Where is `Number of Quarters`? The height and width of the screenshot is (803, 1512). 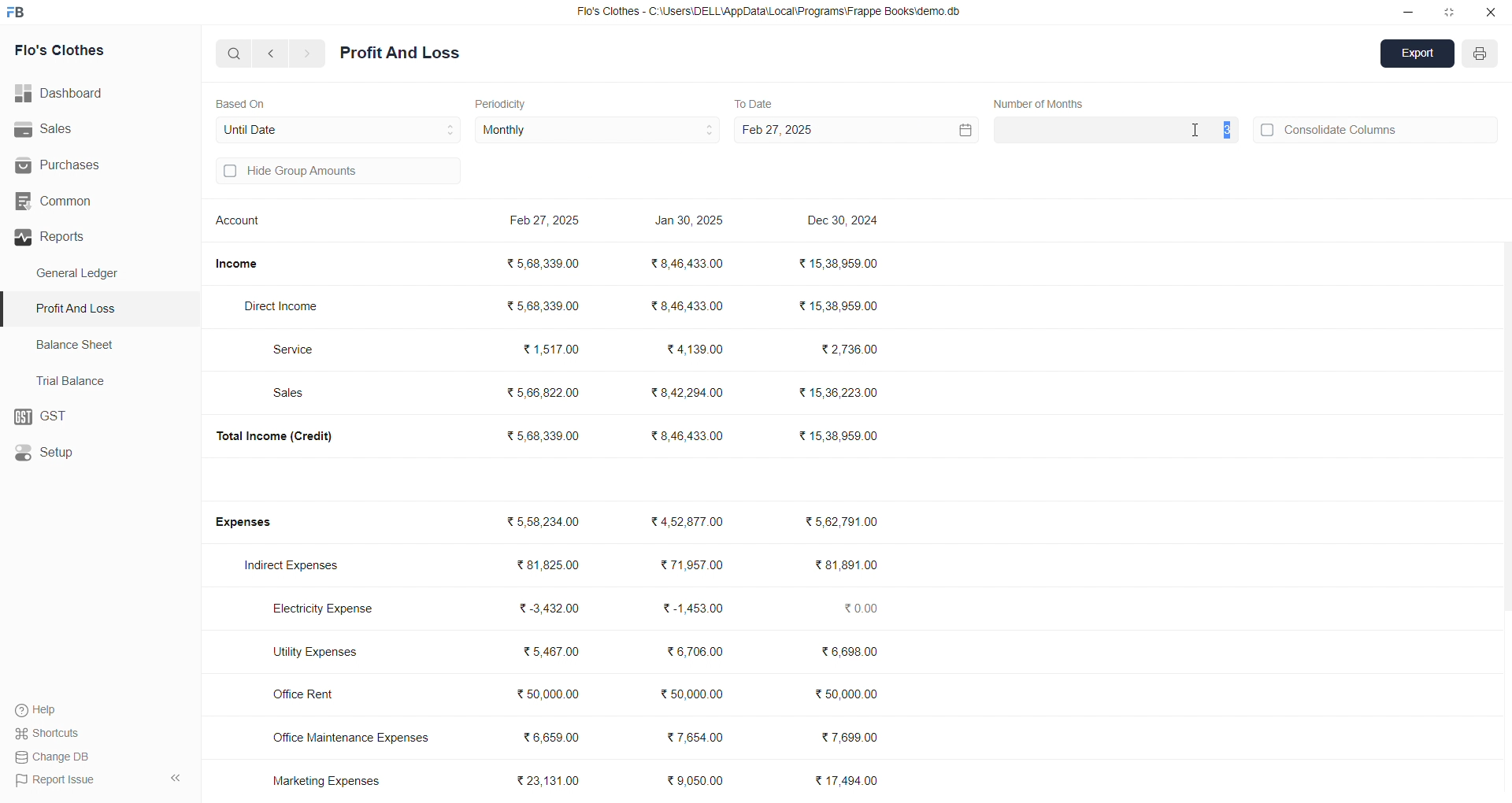 Number of Quarters is located at coordinates (1043, 103).